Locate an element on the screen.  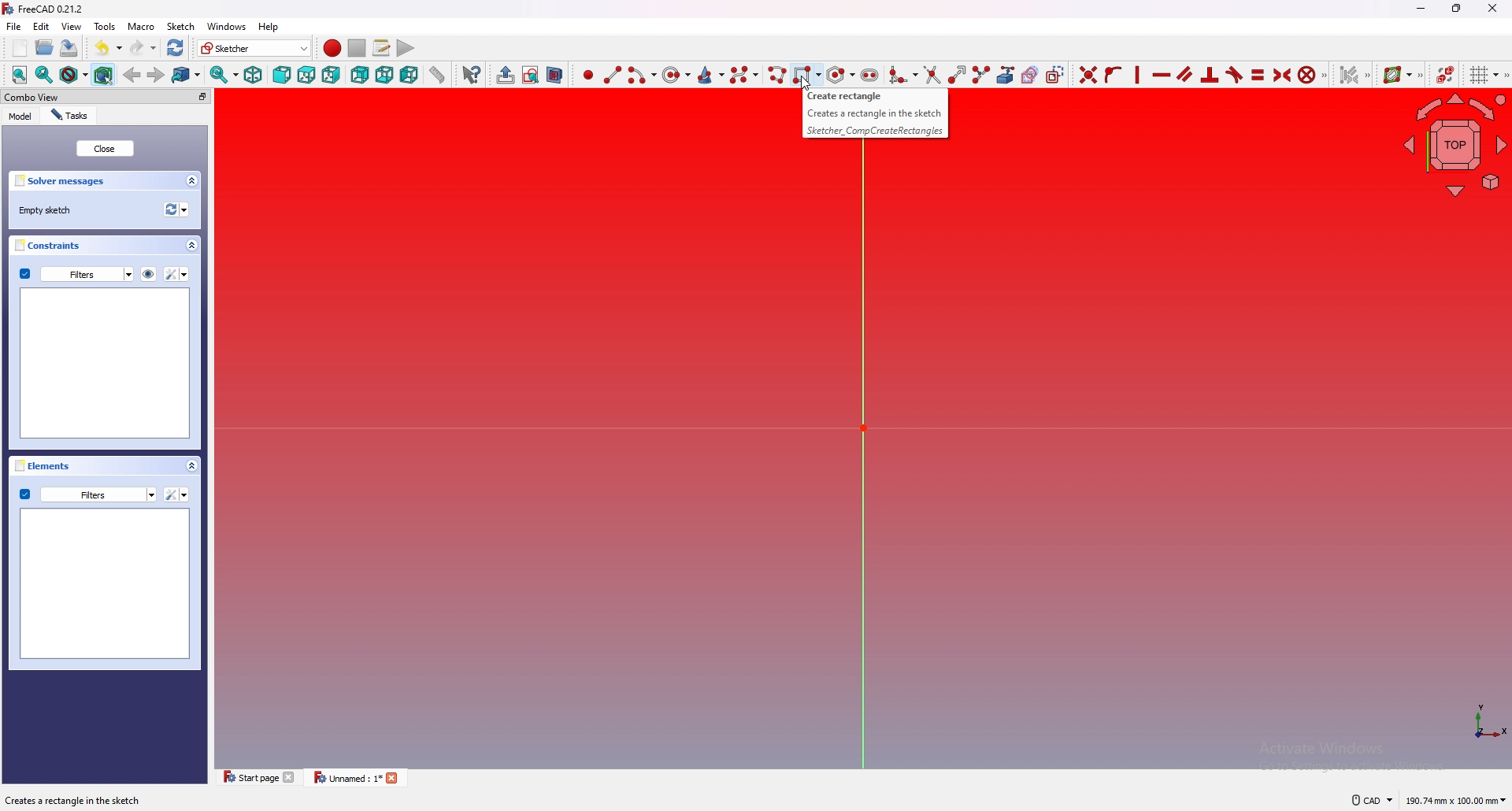
set associated constraints is located at coordinates (1354, 75).